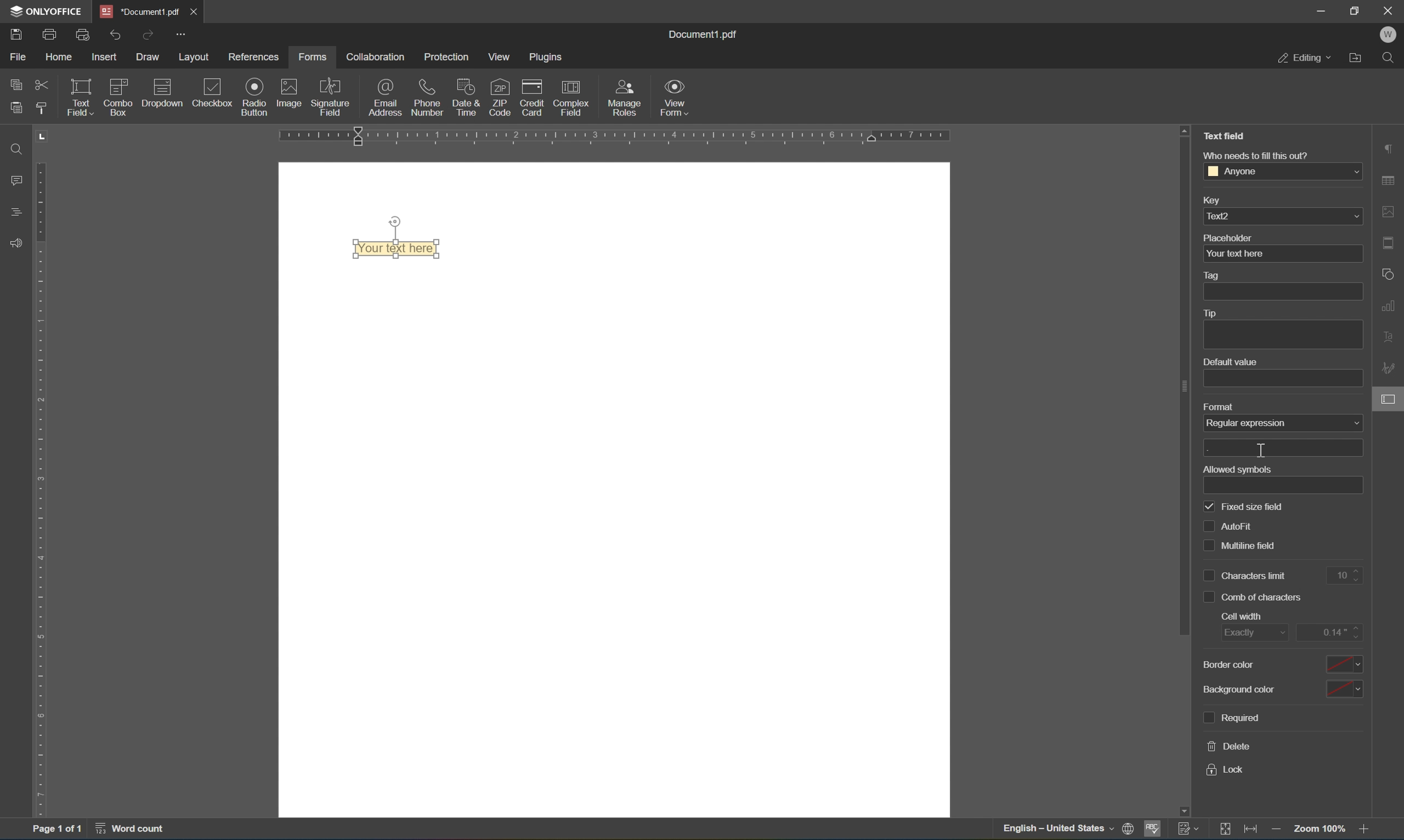  Describe the element at coordinates (13, 84) in the screenshot. I see `copy` at that location.